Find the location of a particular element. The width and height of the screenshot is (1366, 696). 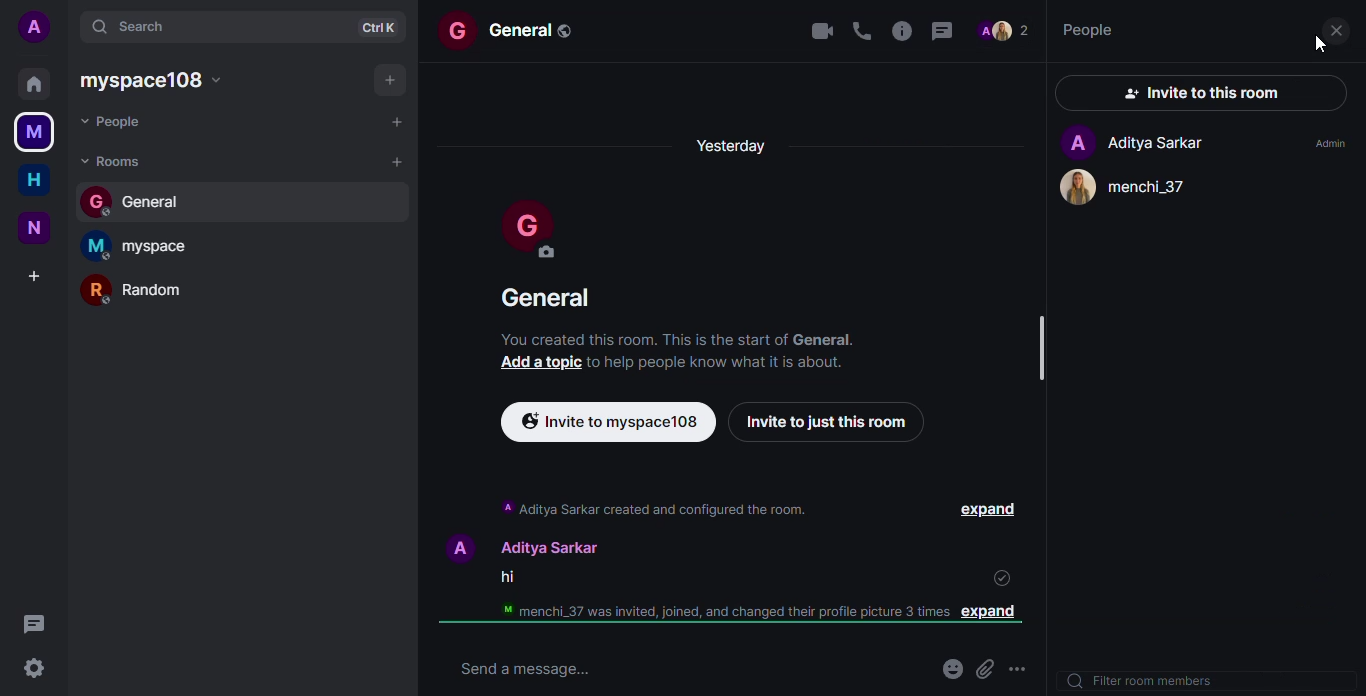

A Aditya Sarkar is located at coordinates (1127, 142).